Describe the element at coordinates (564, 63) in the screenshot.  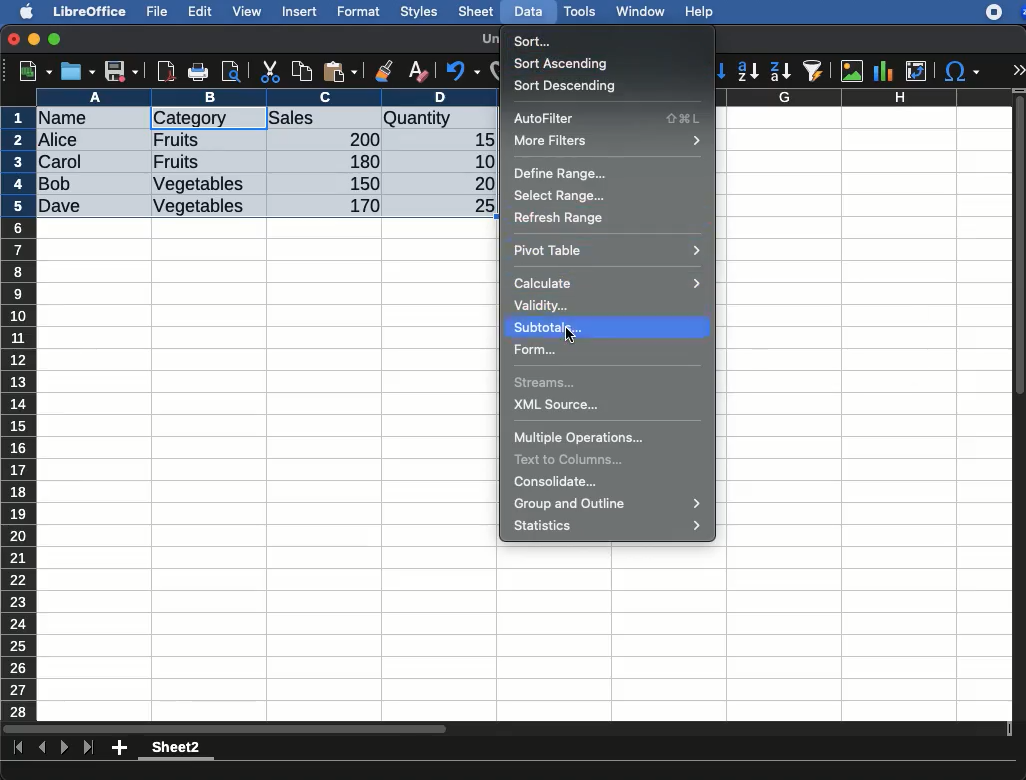
I see `sort ascending` at that location.